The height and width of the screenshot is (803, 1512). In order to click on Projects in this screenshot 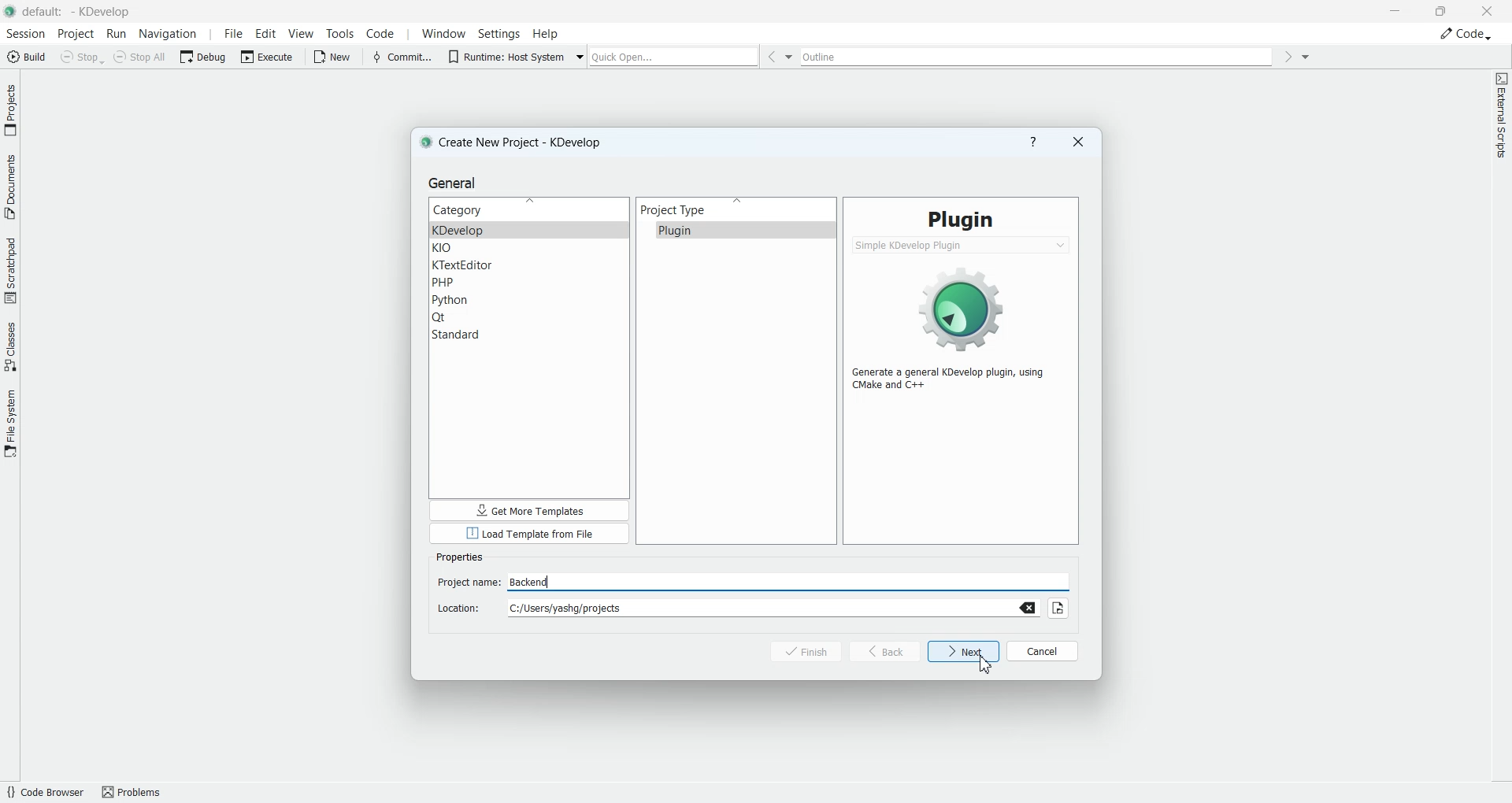, I will do `click(11, 109)`.